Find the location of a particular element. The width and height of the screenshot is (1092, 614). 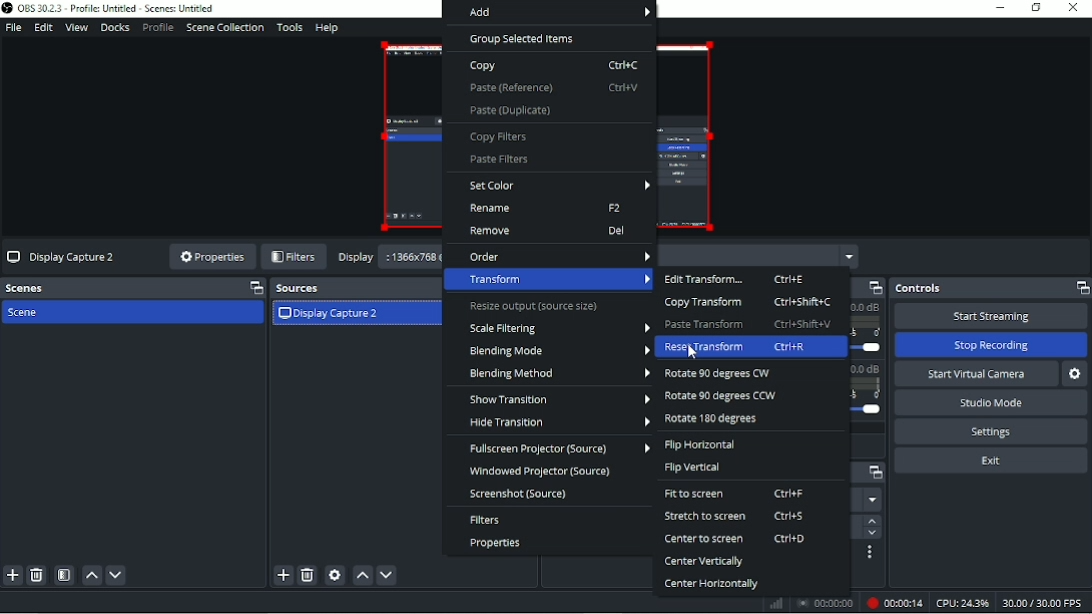

View is located at coordinates (76, 28).